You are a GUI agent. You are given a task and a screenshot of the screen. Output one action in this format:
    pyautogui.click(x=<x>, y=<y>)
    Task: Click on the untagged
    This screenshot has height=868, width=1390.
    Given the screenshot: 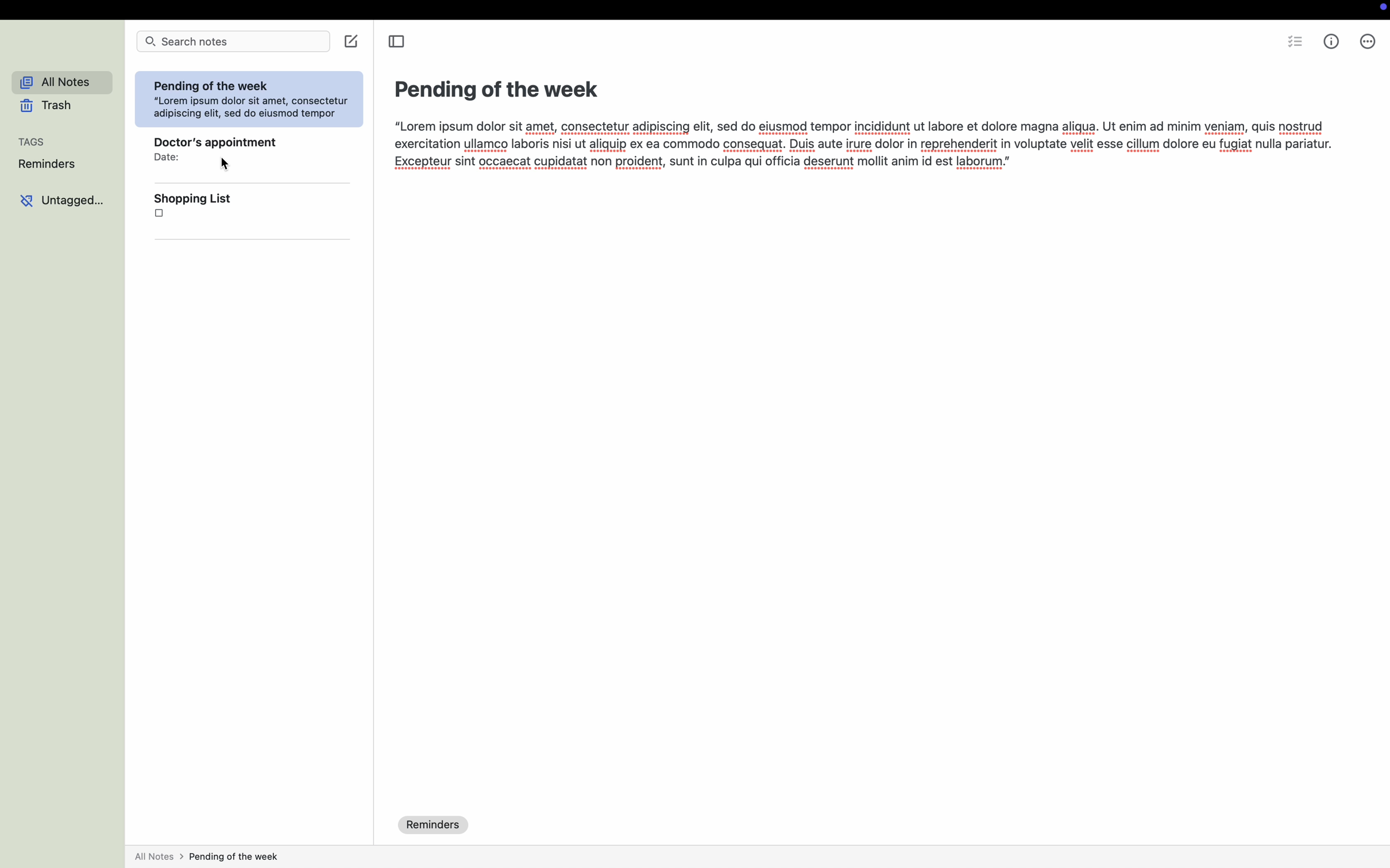 What is the action you would take?
    pyautogui.click(x=61, y=203)
    